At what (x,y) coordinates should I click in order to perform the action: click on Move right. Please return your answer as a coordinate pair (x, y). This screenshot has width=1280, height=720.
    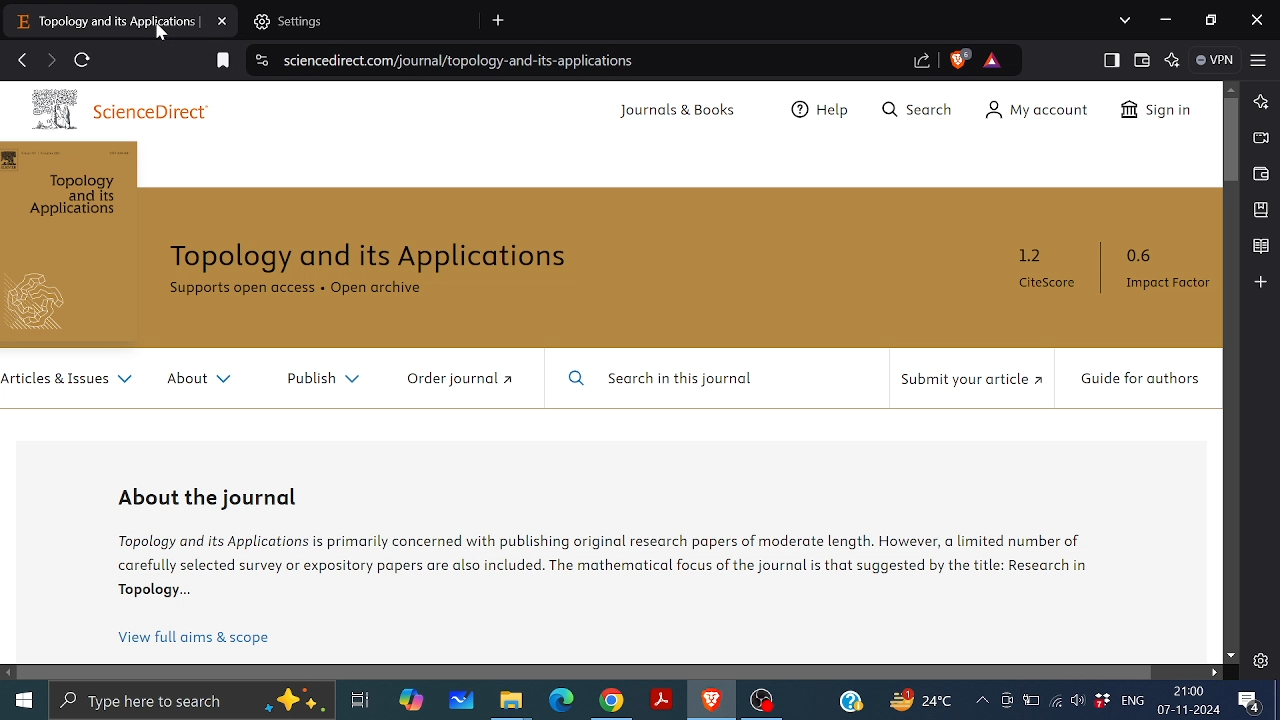
    Looking at the image, I should click on (1216, 672).